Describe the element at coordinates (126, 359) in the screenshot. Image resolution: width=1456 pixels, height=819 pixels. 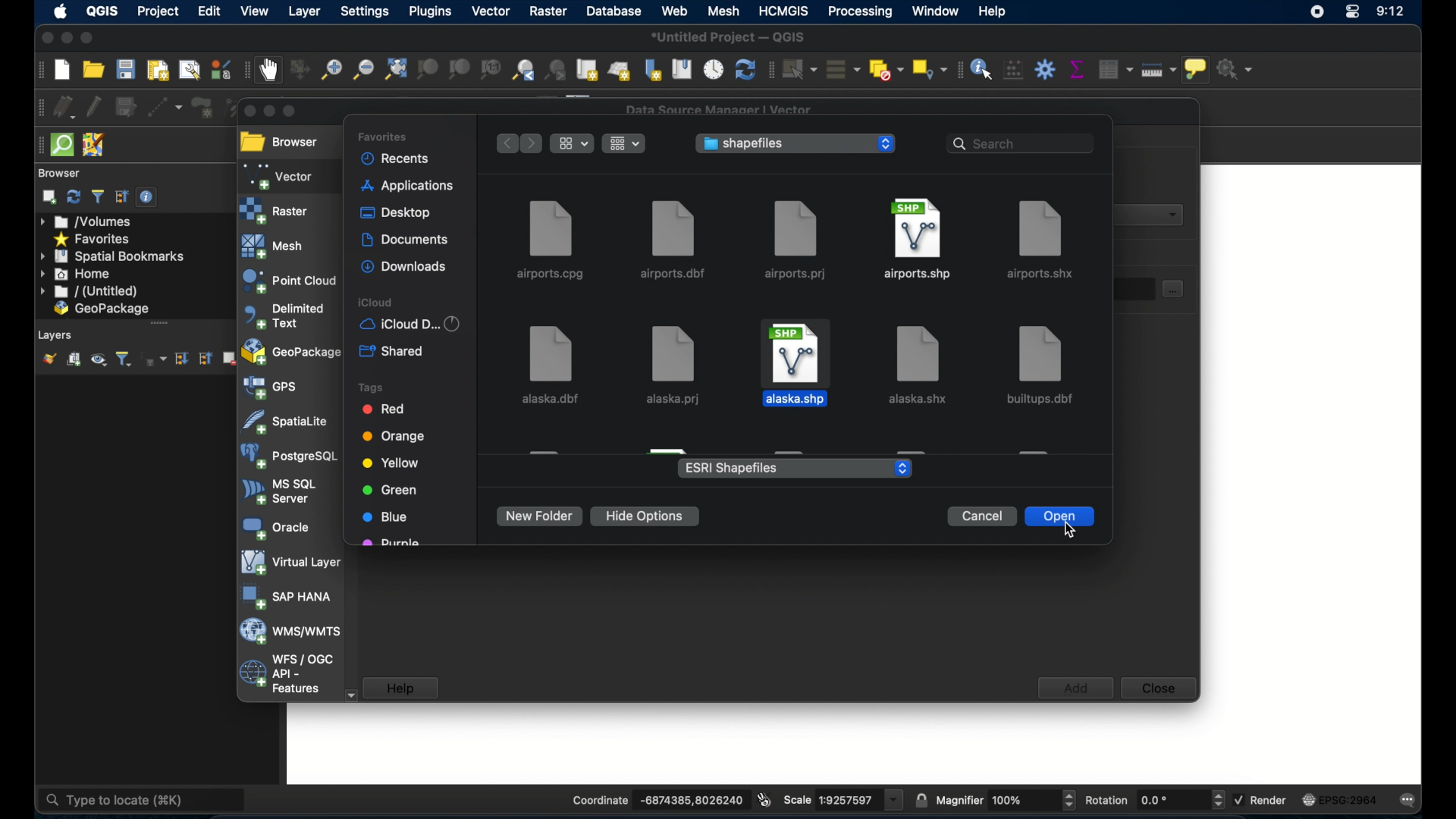
I see `filter legend` at that location.